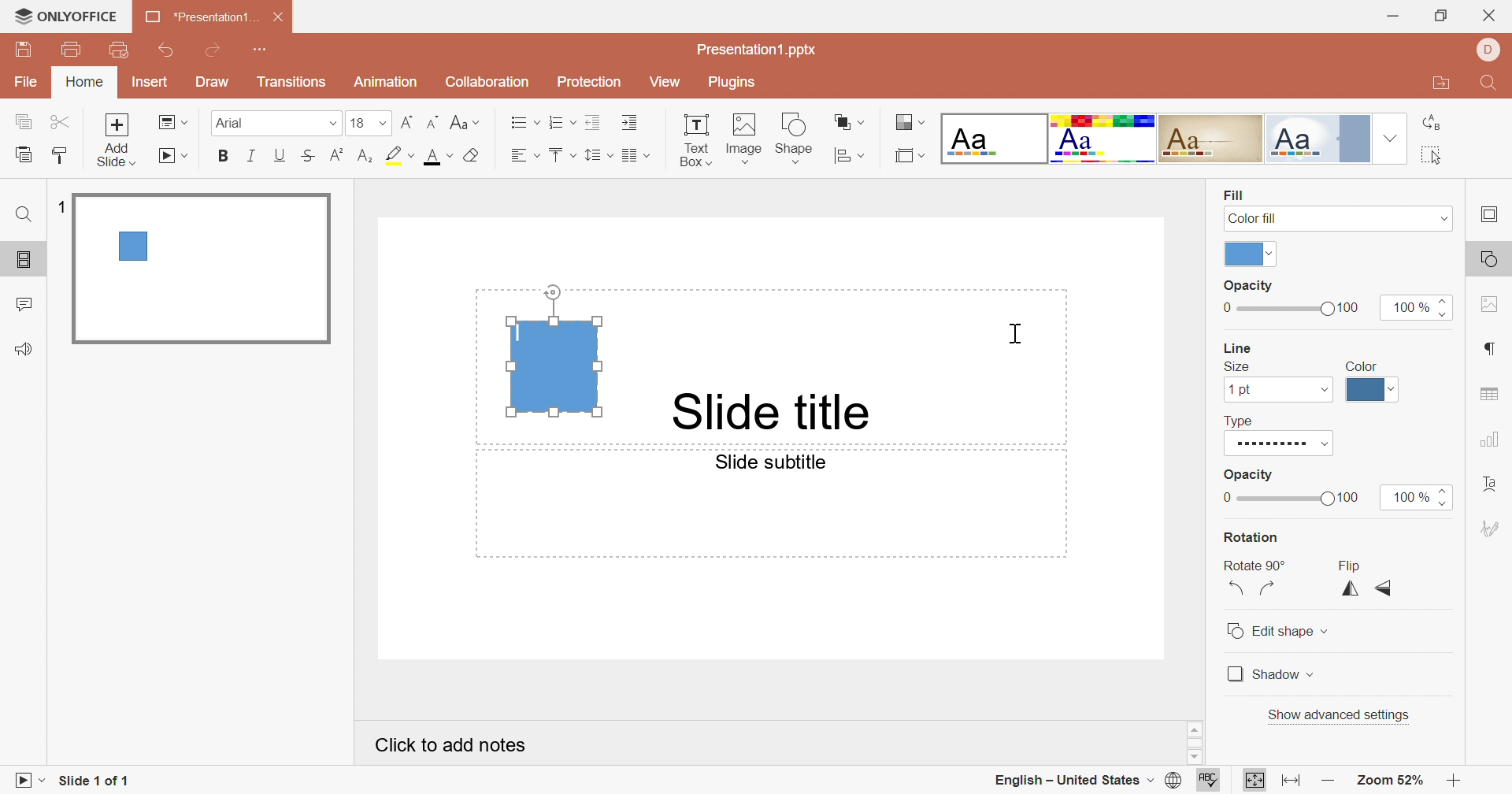 This screenshot has height=794, width=1512. What do you see at coordinates (56, 155) in the screenshot?
I see `Copy Style` at bounding box center [56, 155].